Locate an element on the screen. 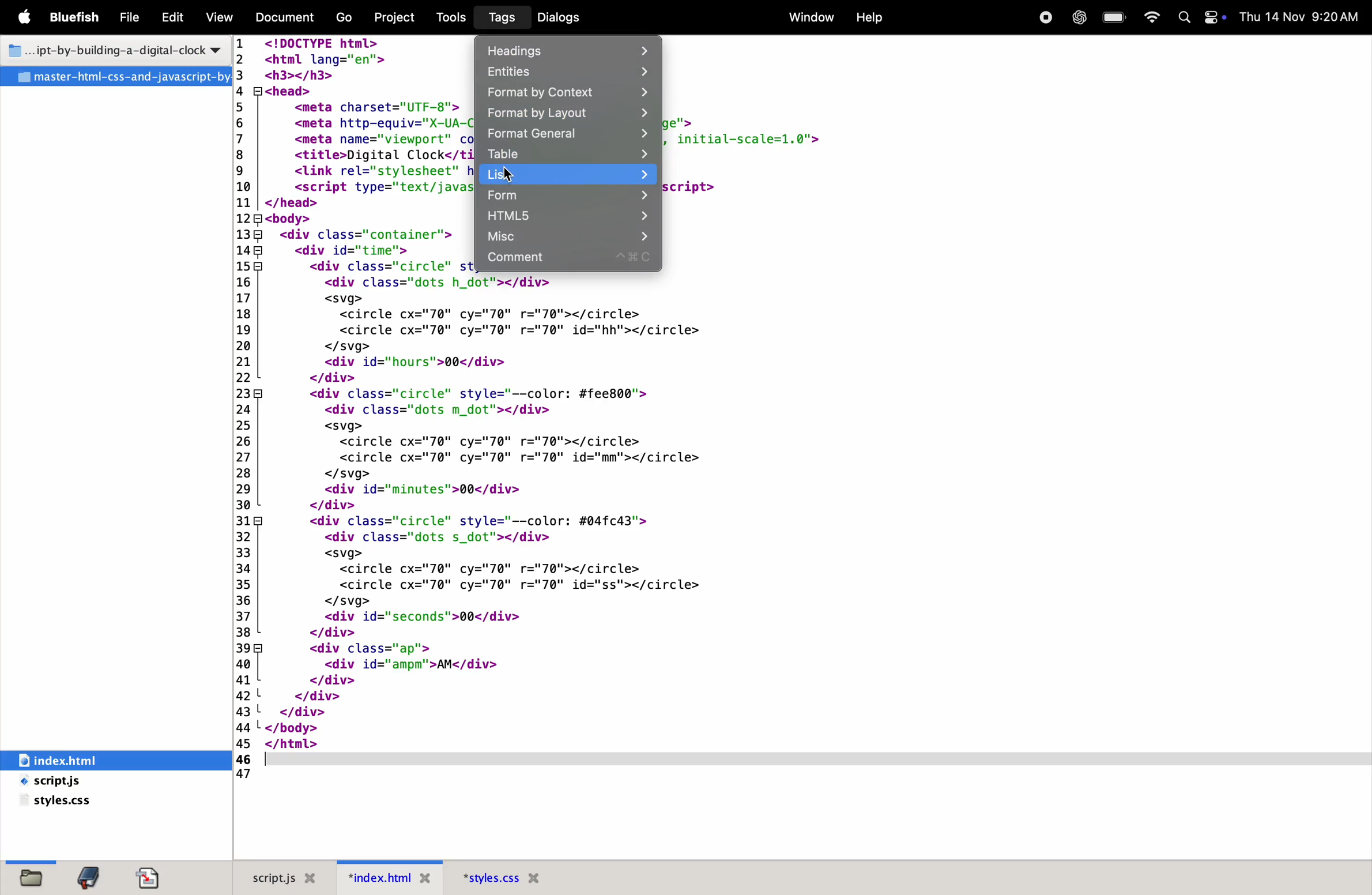  form is located at coordinates (568, 195).